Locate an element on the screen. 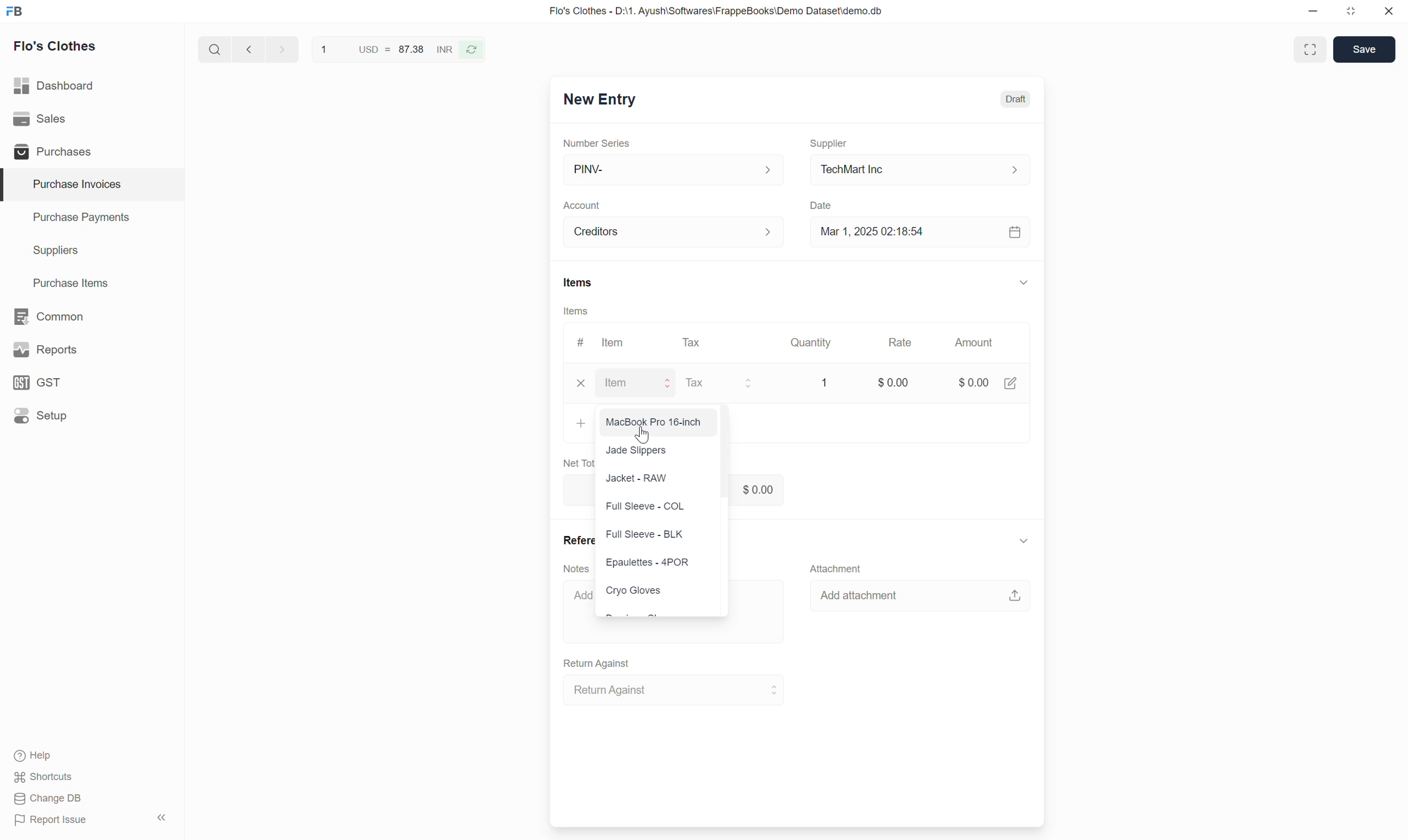  Rate is located at coordinates (900, 342).